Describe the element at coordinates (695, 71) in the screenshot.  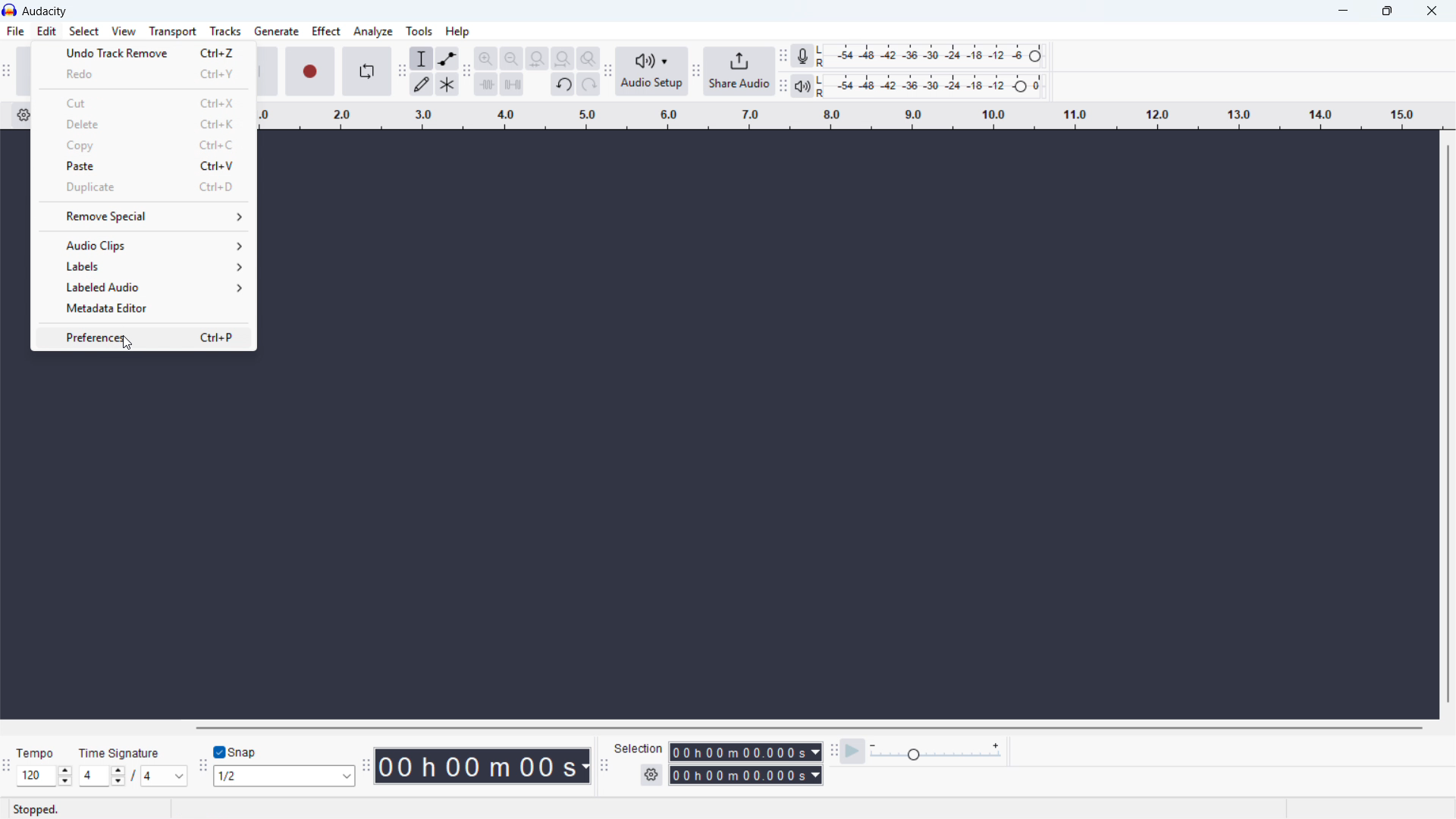
I see `share audio toolbar` at that location.